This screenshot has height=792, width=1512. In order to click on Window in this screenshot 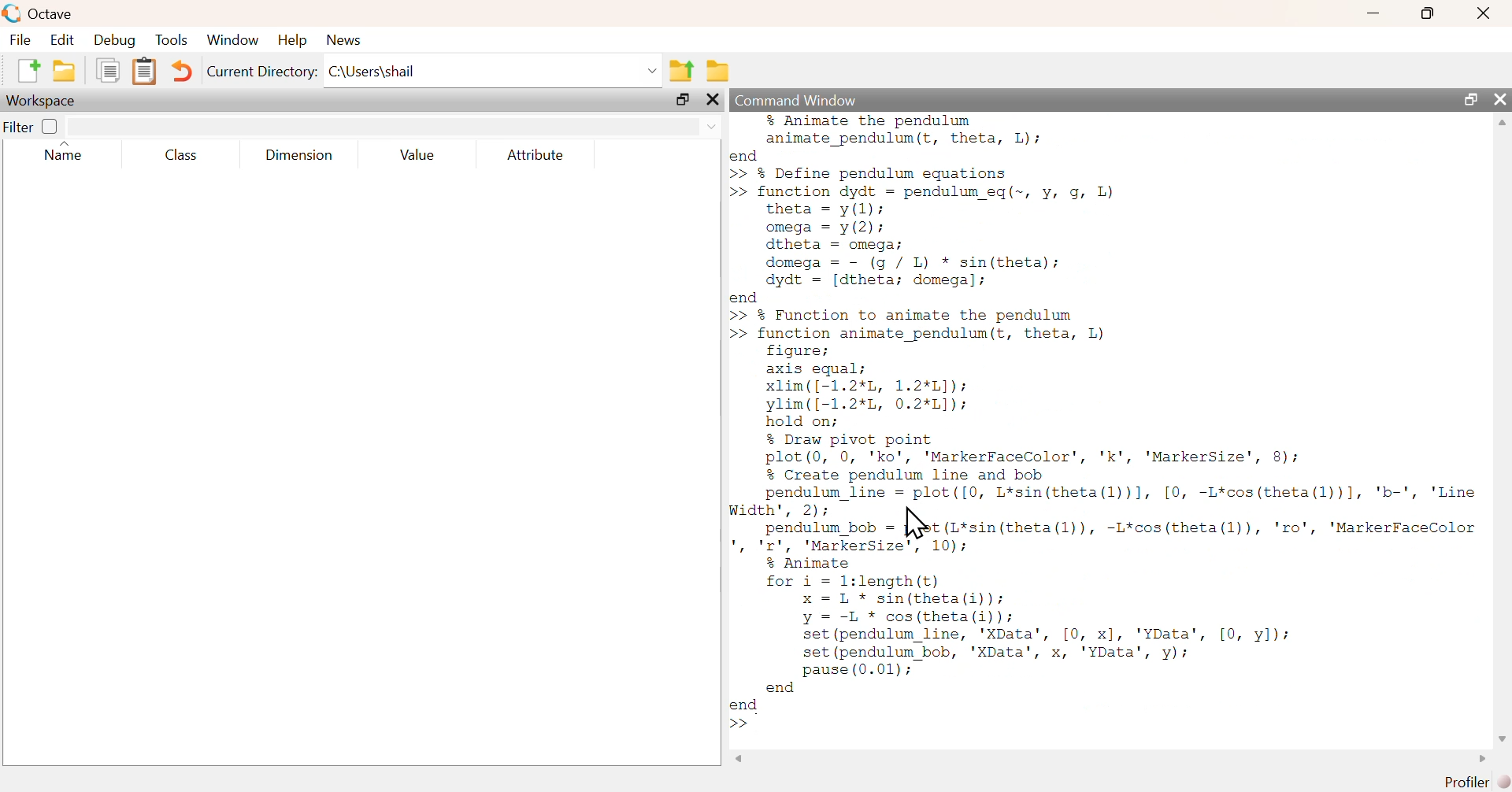, I will do `click(235, 41)`.